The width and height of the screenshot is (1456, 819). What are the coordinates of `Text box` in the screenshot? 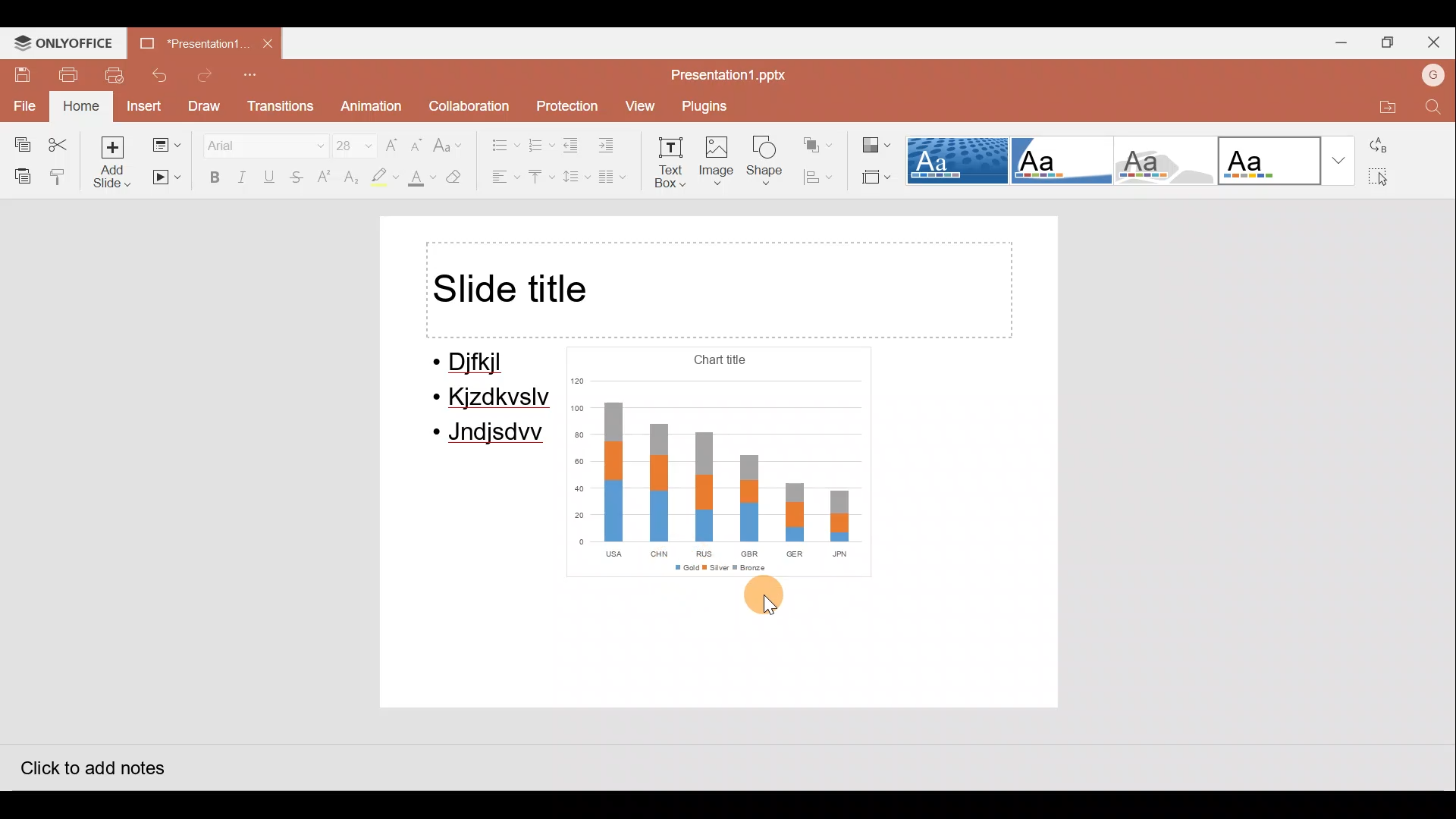 It's located at (672, 165).